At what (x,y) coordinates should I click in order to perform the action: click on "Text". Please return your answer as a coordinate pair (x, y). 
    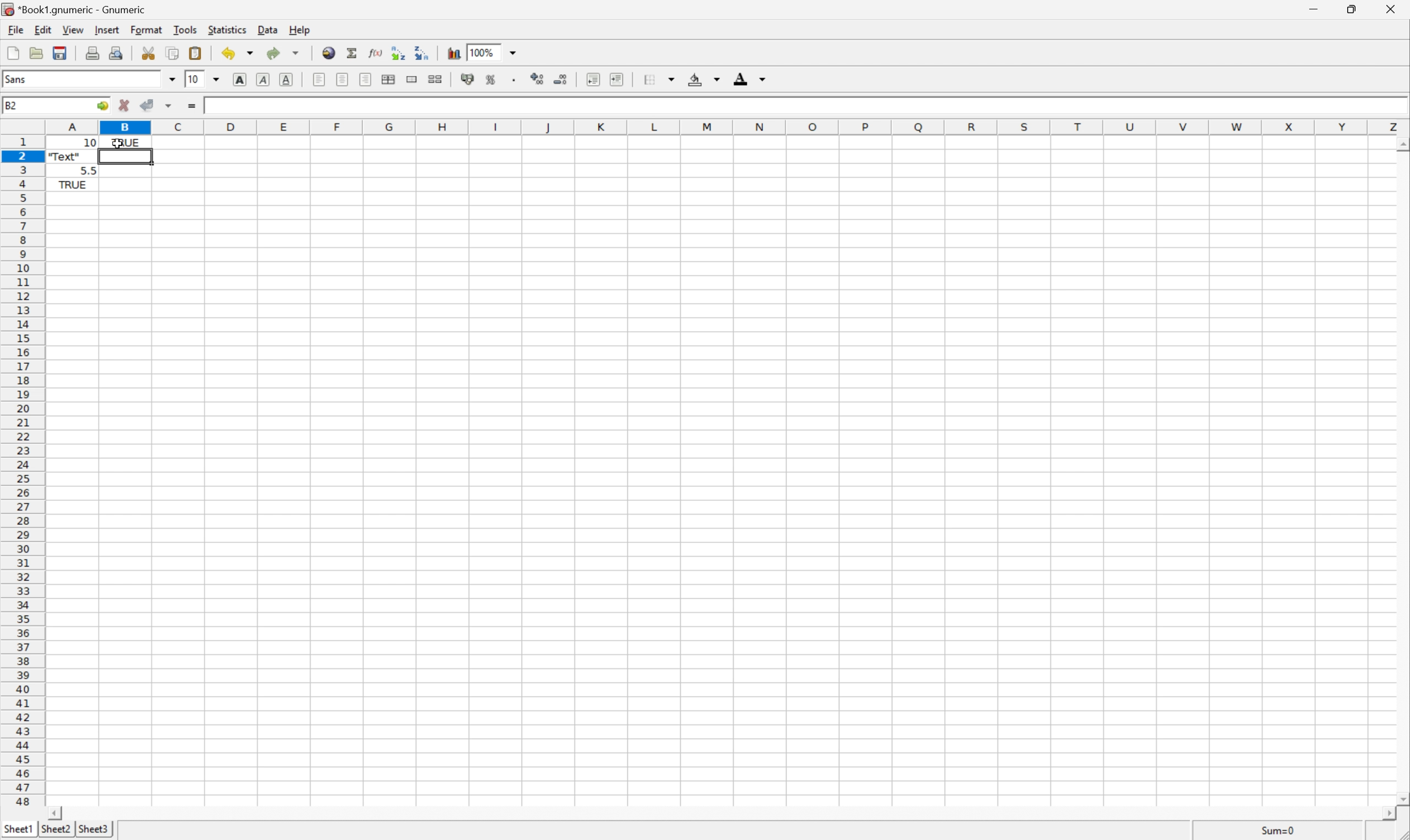
    Looking at the image, I should click on (65, 158).